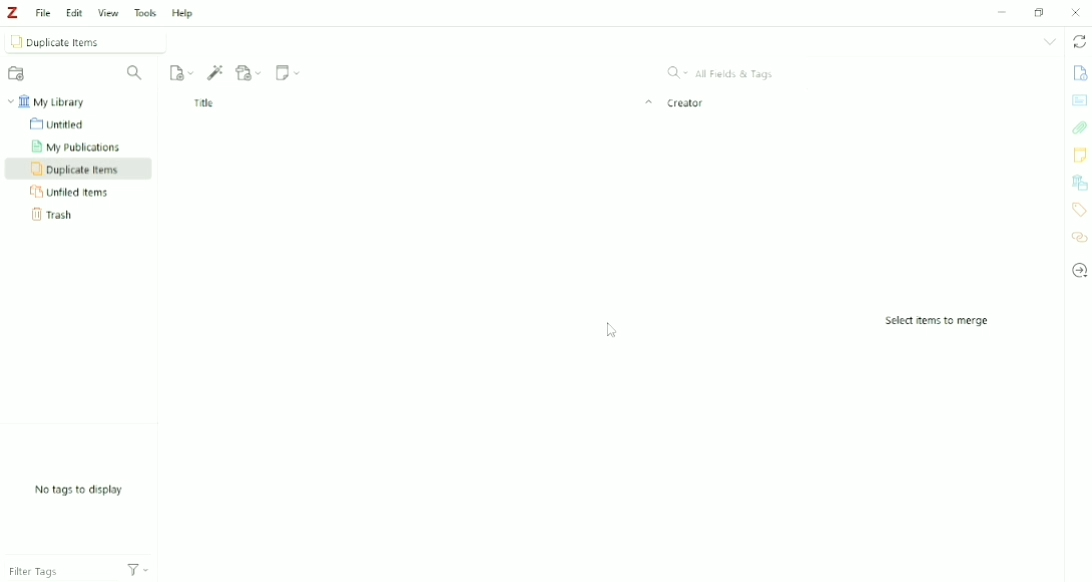  Describe the element at coordinates (938, 322) in the screenshot. I see `Select items to merge` at that location.